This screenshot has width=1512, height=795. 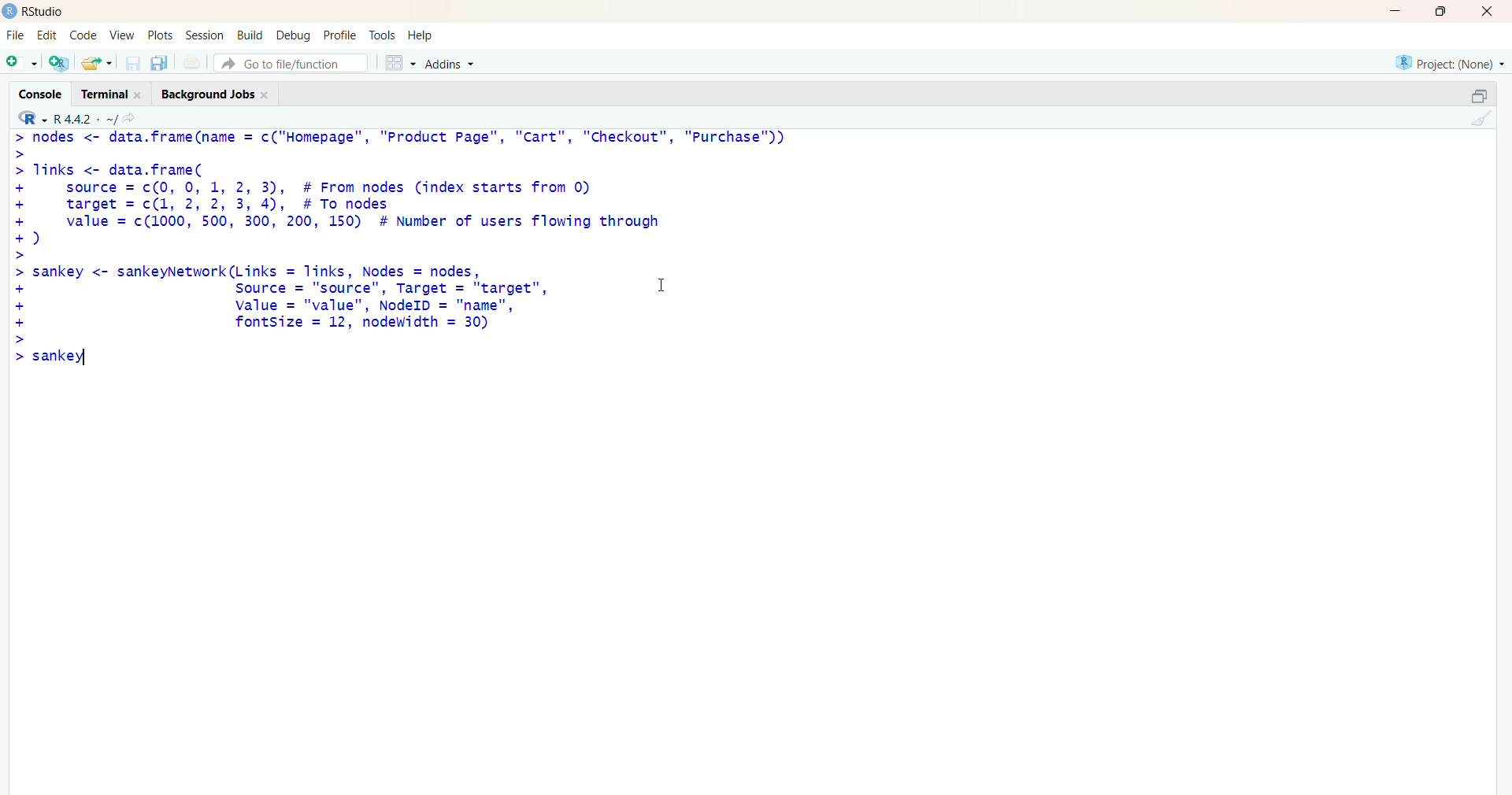 I want to click on grid, so click(x=396, y=64).